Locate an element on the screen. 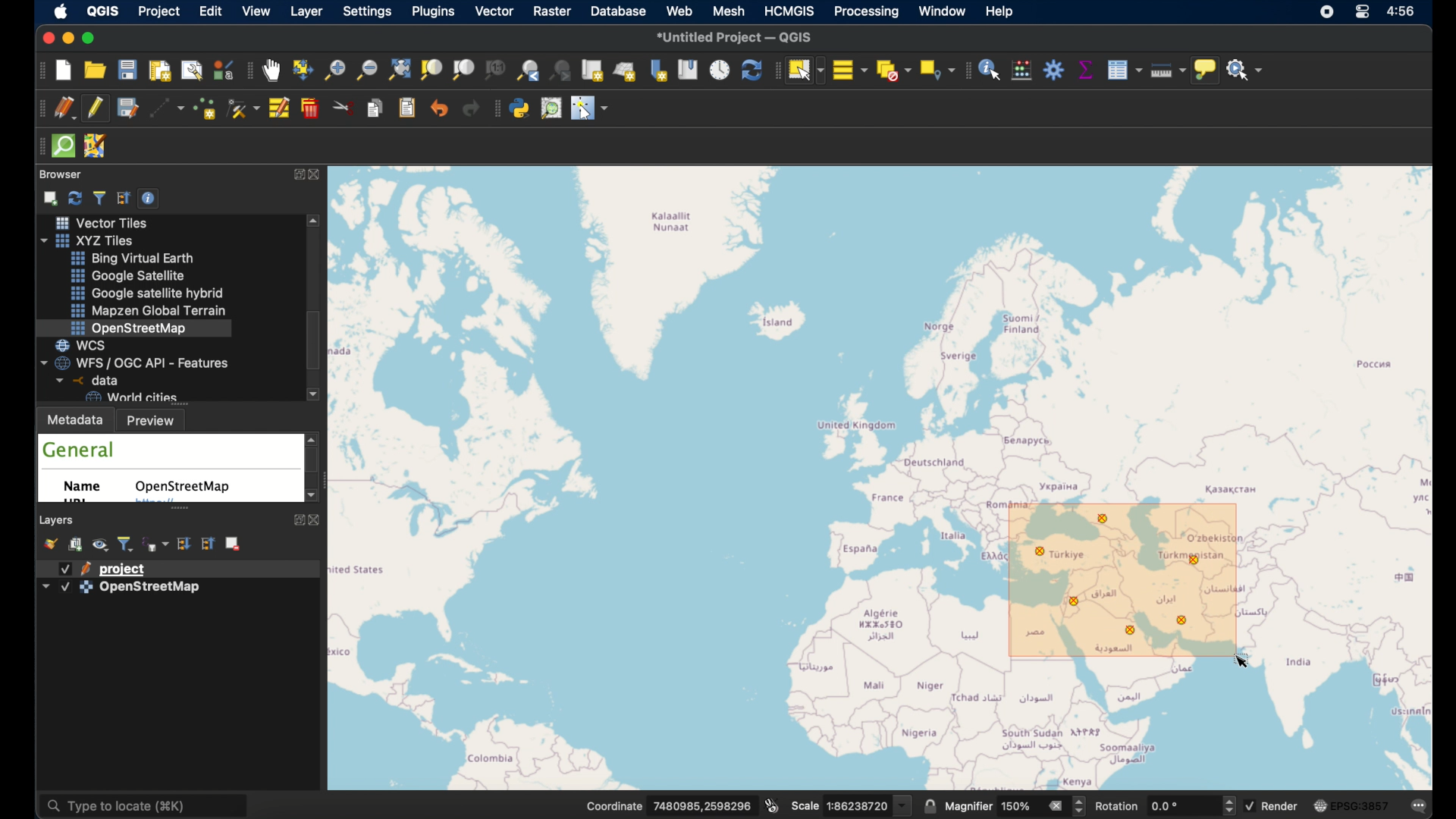  expand is located at coordinates (297, 522).